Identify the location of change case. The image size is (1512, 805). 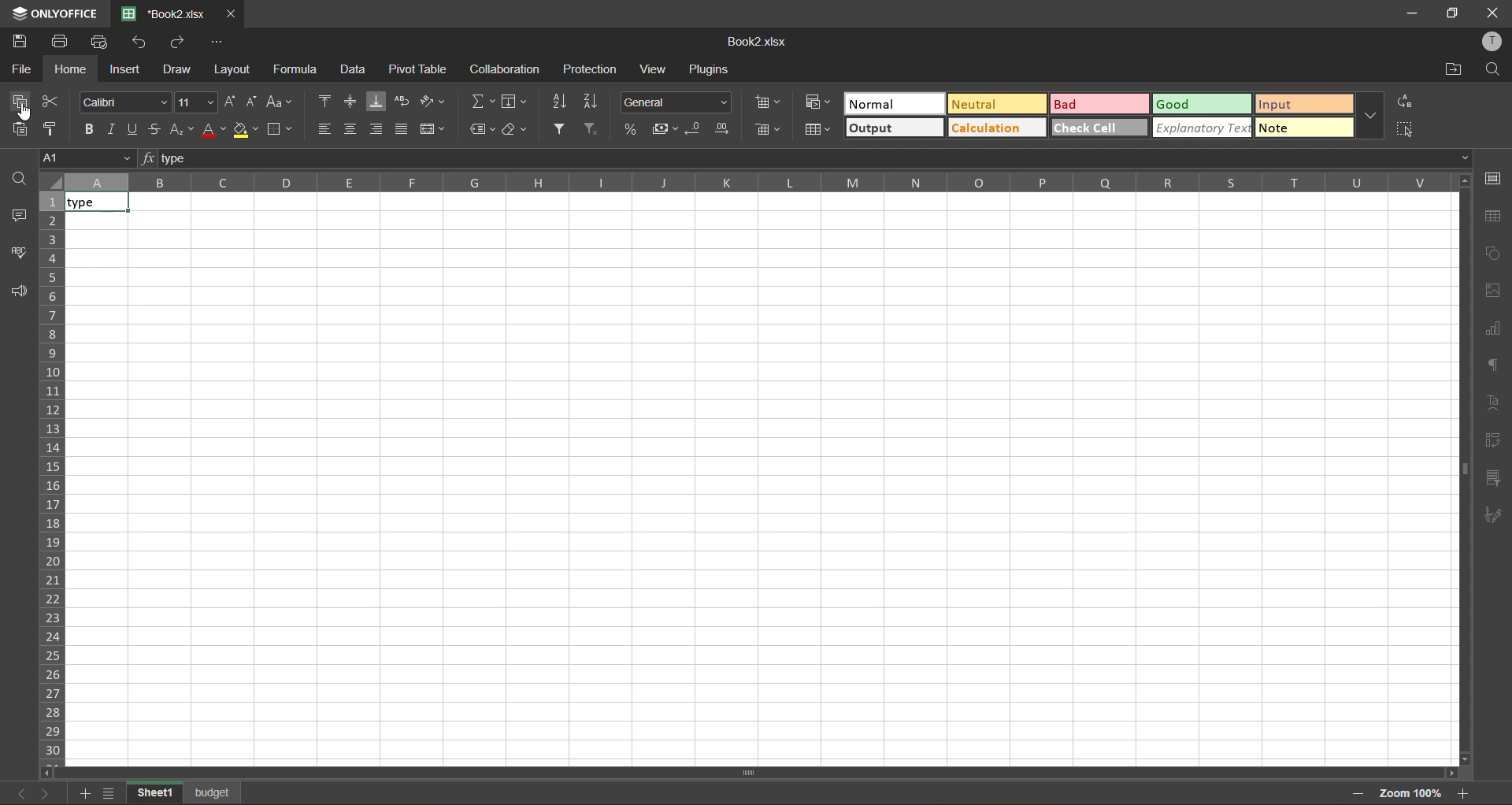
(280, 101).